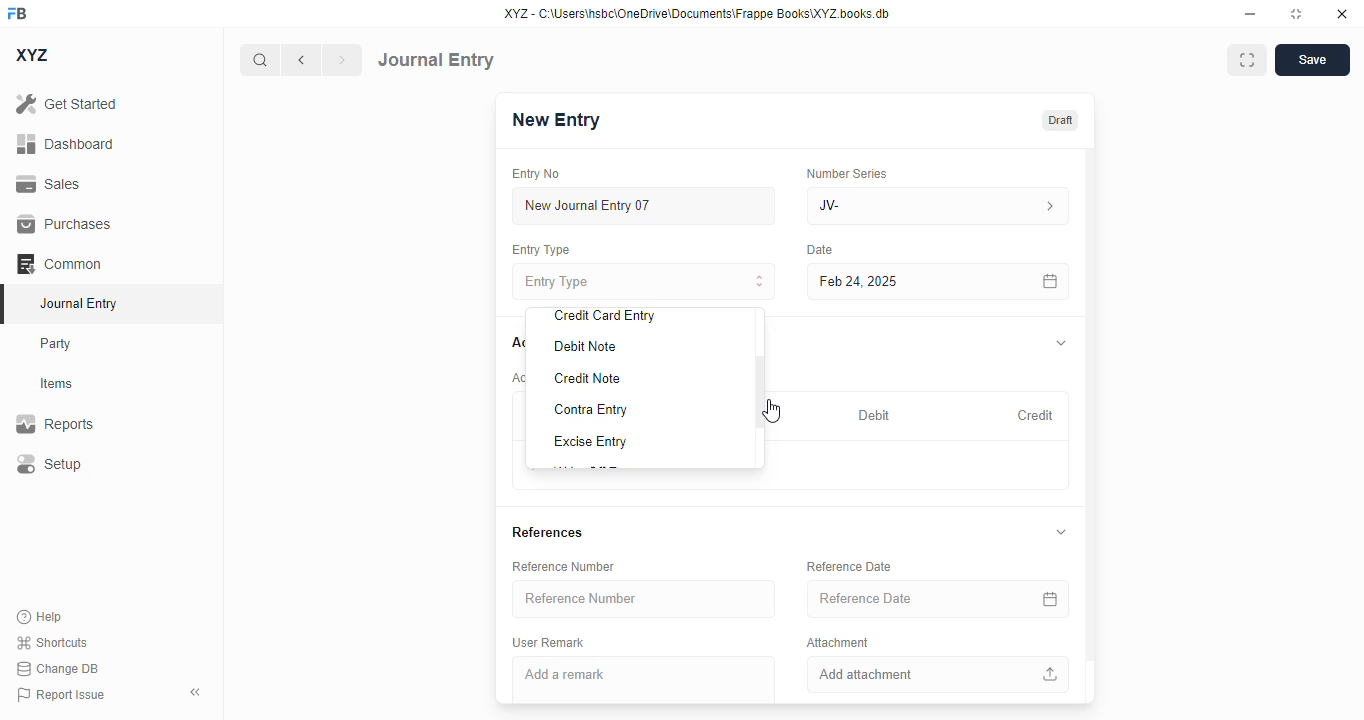 The height and width of the screenshot is (720, 1364). Describe the element at coordinates (343, 60) in the screenshot. I see `next` at that location.